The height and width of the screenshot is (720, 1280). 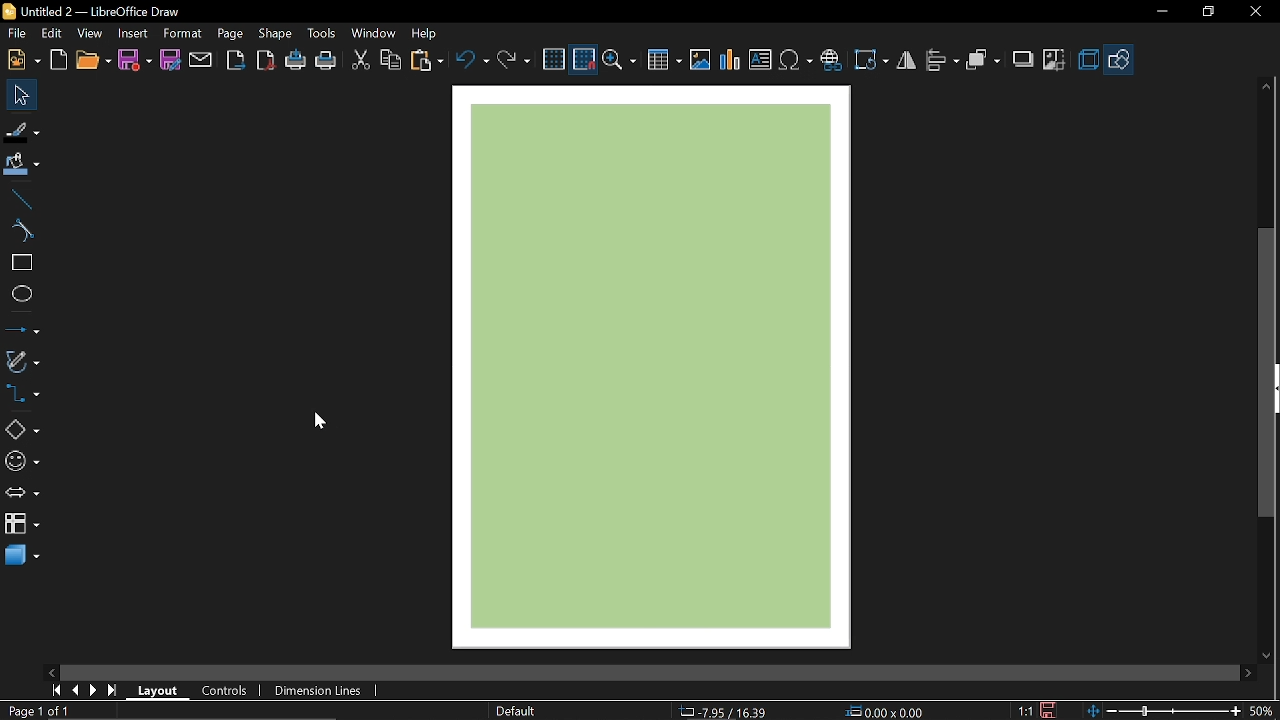 I want to click on Basic hapes, so click(x=1120, y=59).